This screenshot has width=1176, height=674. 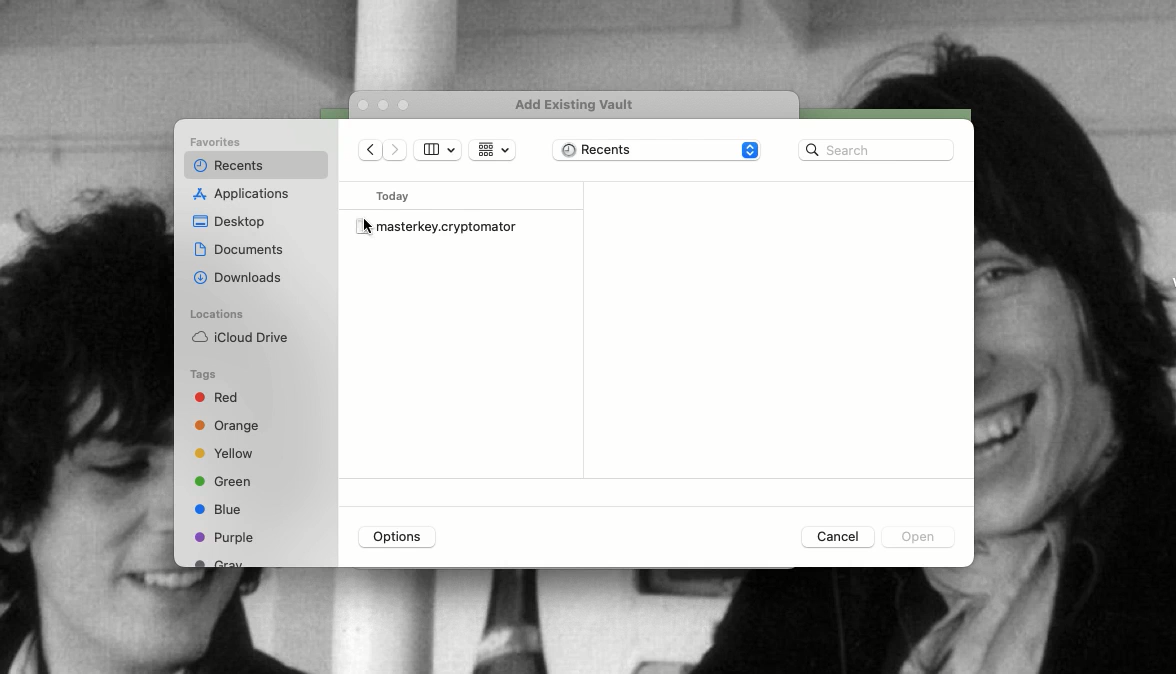 What do you see at coordinates (835, 536) in the screenshot?
I see `Cancel` at bounding box center [835, 536].